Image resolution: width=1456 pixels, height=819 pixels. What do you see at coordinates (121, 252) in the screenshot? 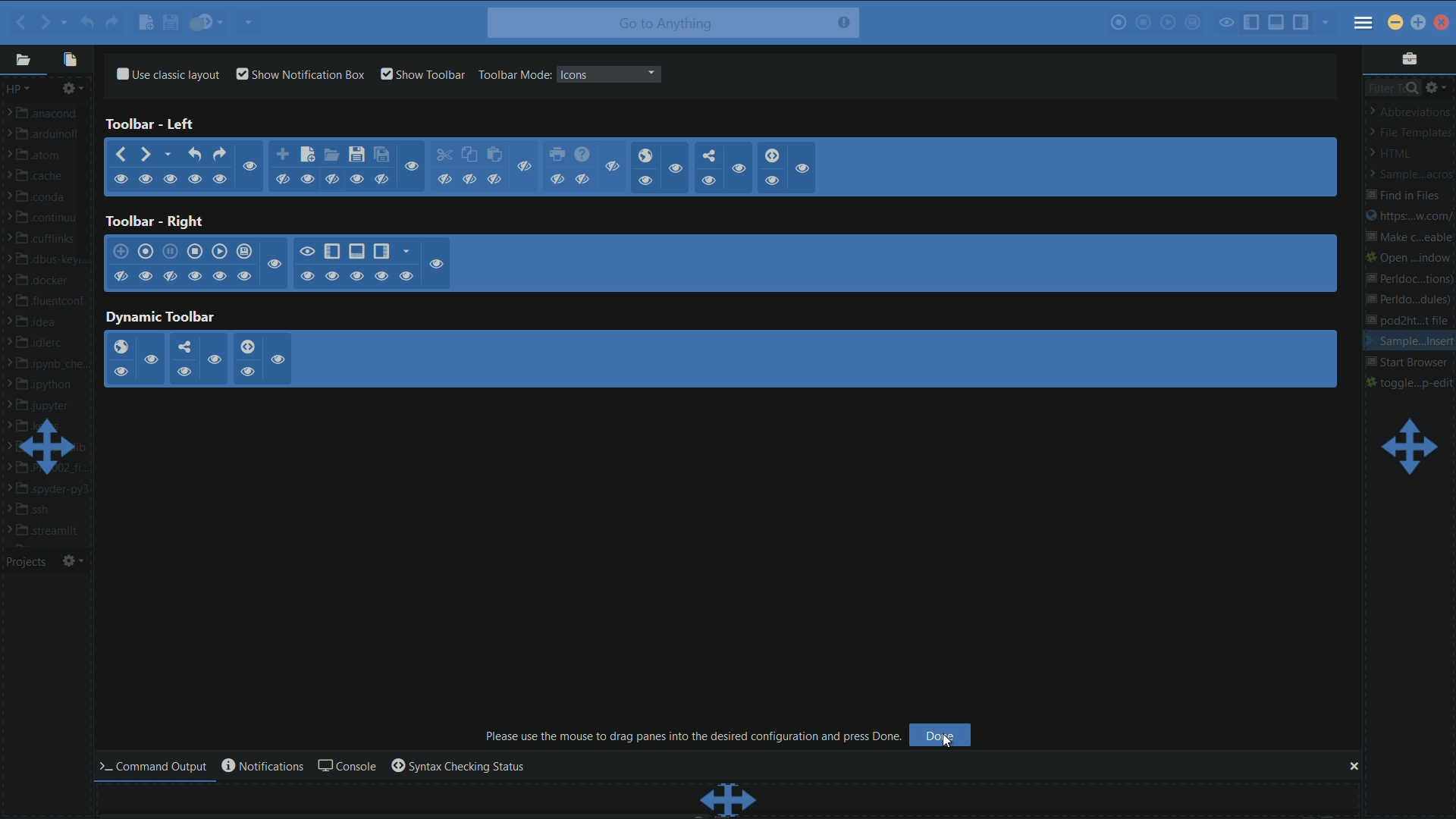
I see `write new userscript` at bounding box center [121, 252].